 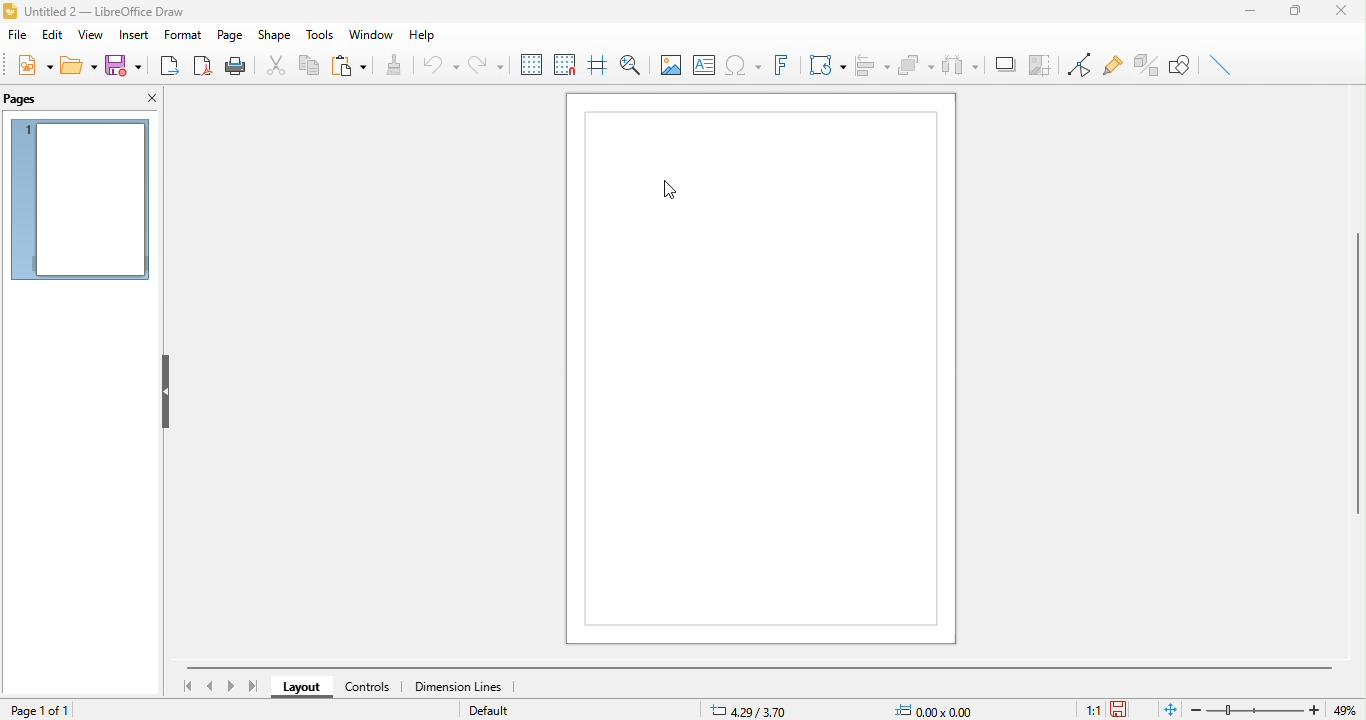 What do you see at coordinates (77, 67) in the screenshot?
I see `open` at bounding box center [77, 67].